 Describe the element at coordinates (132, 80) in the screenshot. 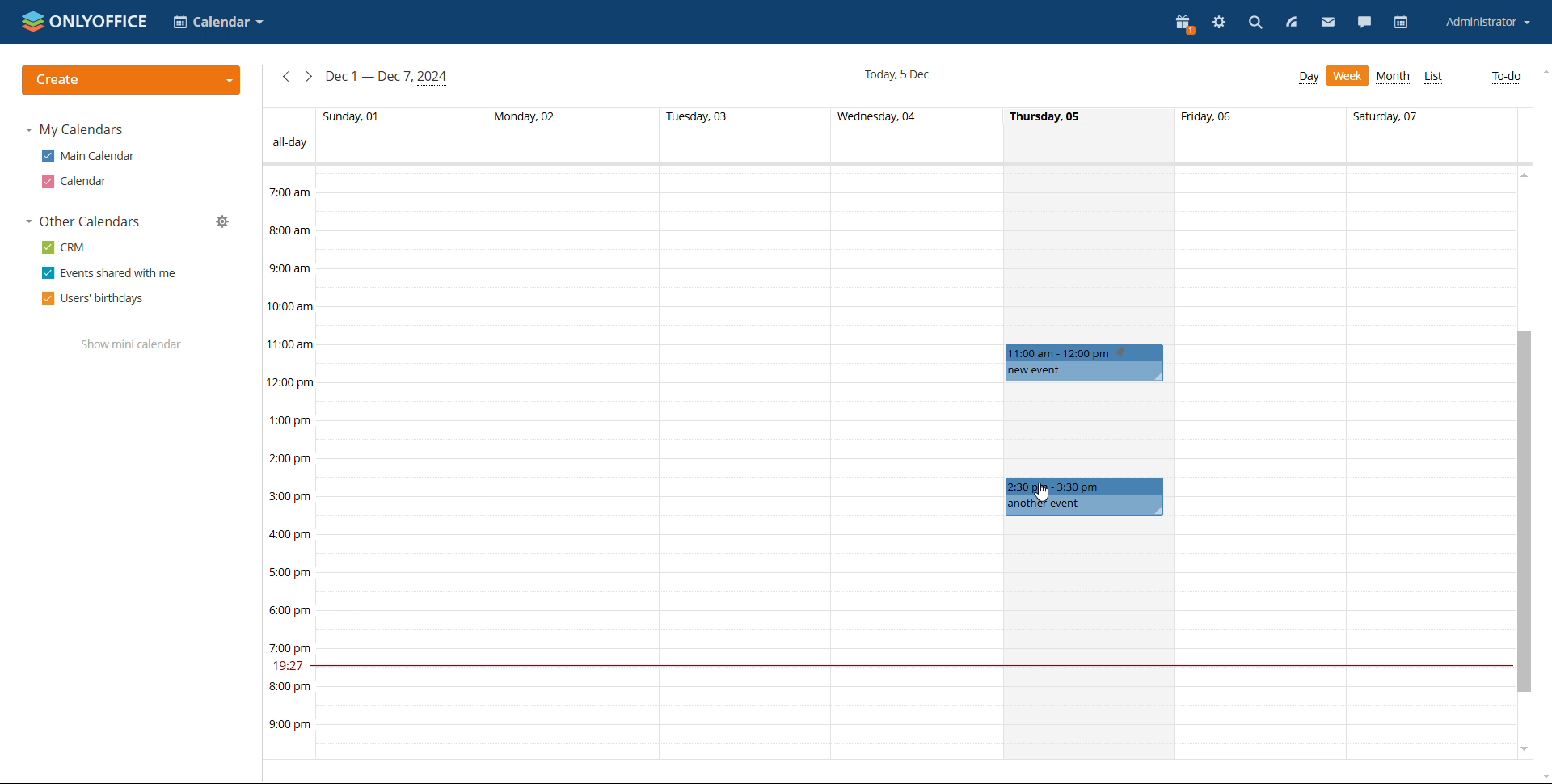

I see `create` at that location.